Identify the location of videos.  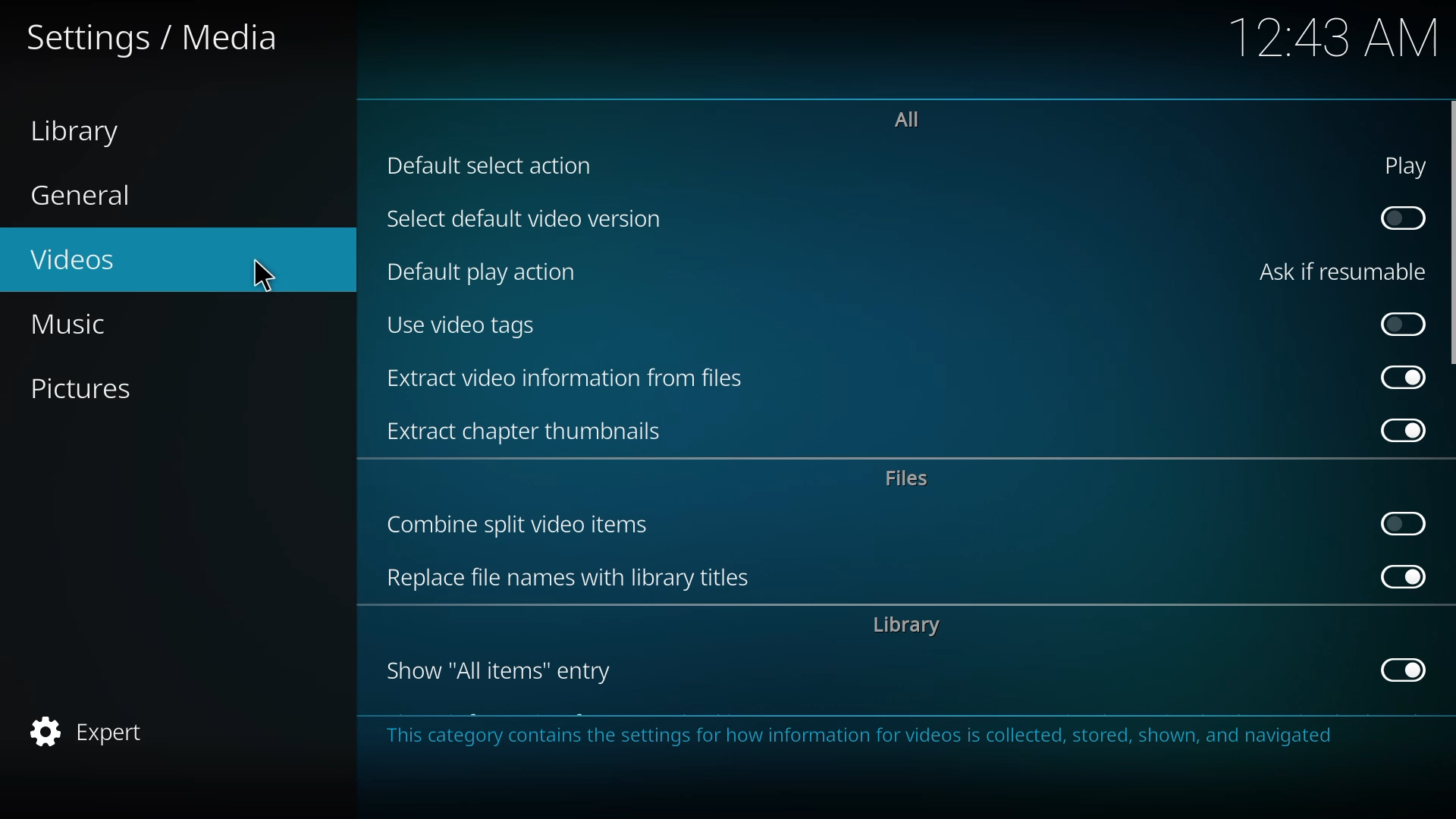
(96, 262).